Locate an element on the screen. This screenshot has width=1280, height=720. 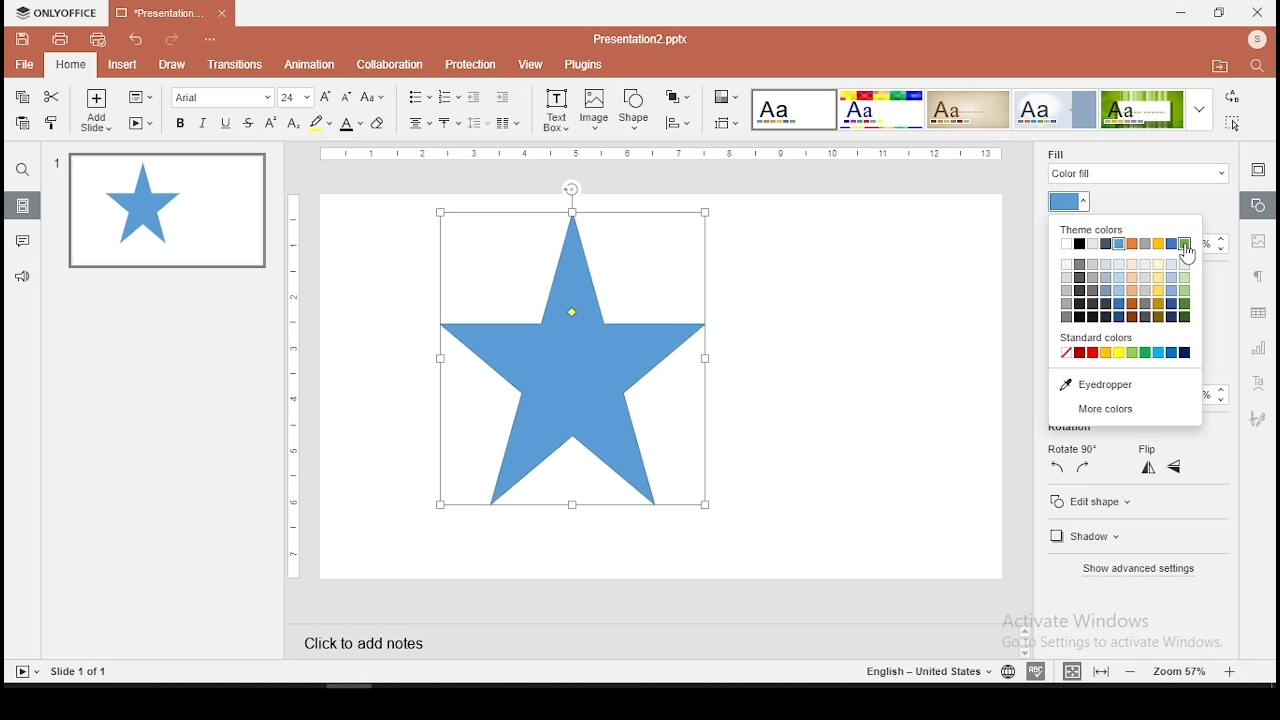
select all is located at coordinates (1236, 122).